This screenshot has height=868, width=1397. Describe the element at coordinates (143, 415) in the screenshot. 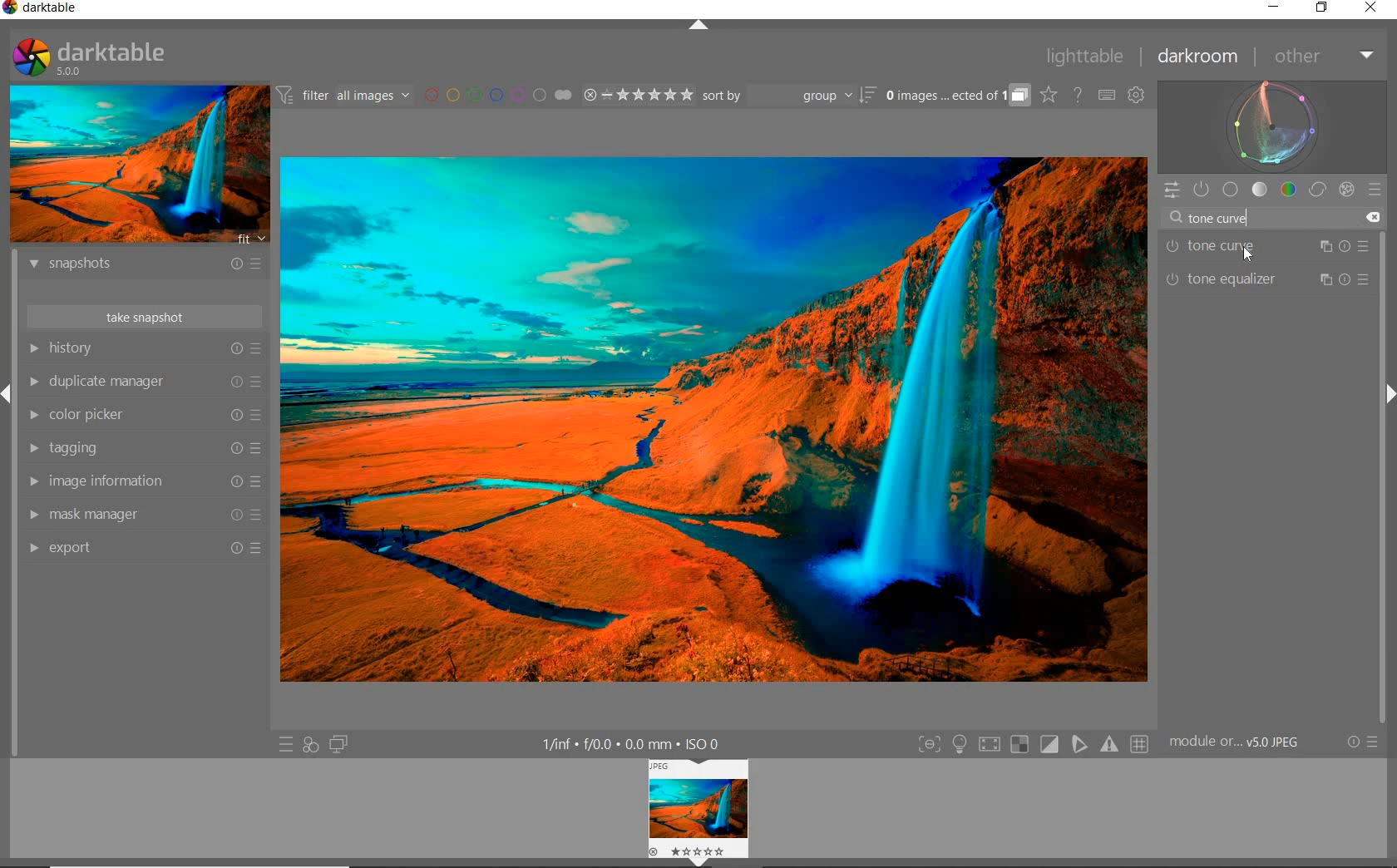

I see `color picker` at that location.